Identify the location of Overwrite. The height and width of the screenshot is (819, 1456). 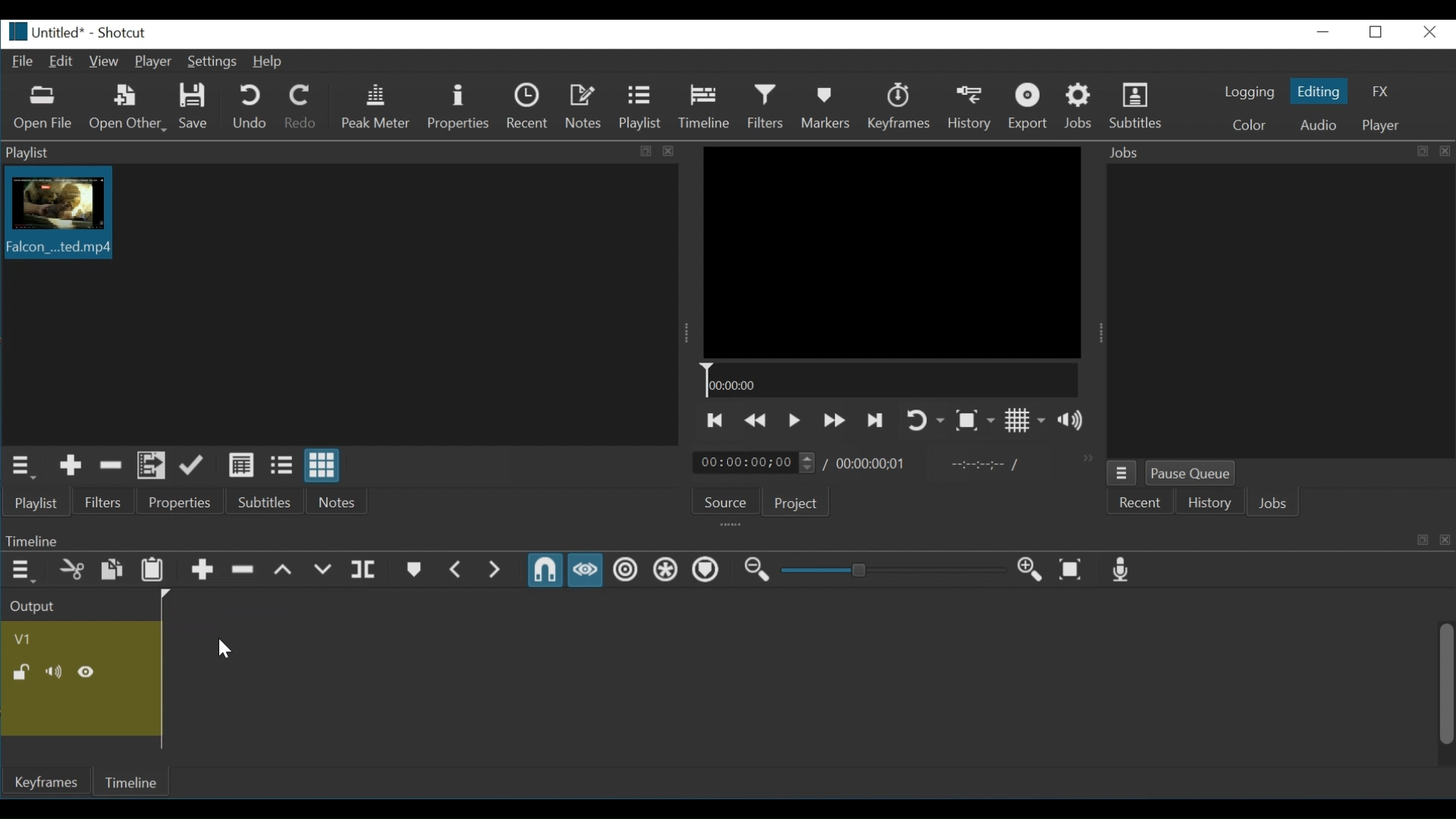
(322, 571).